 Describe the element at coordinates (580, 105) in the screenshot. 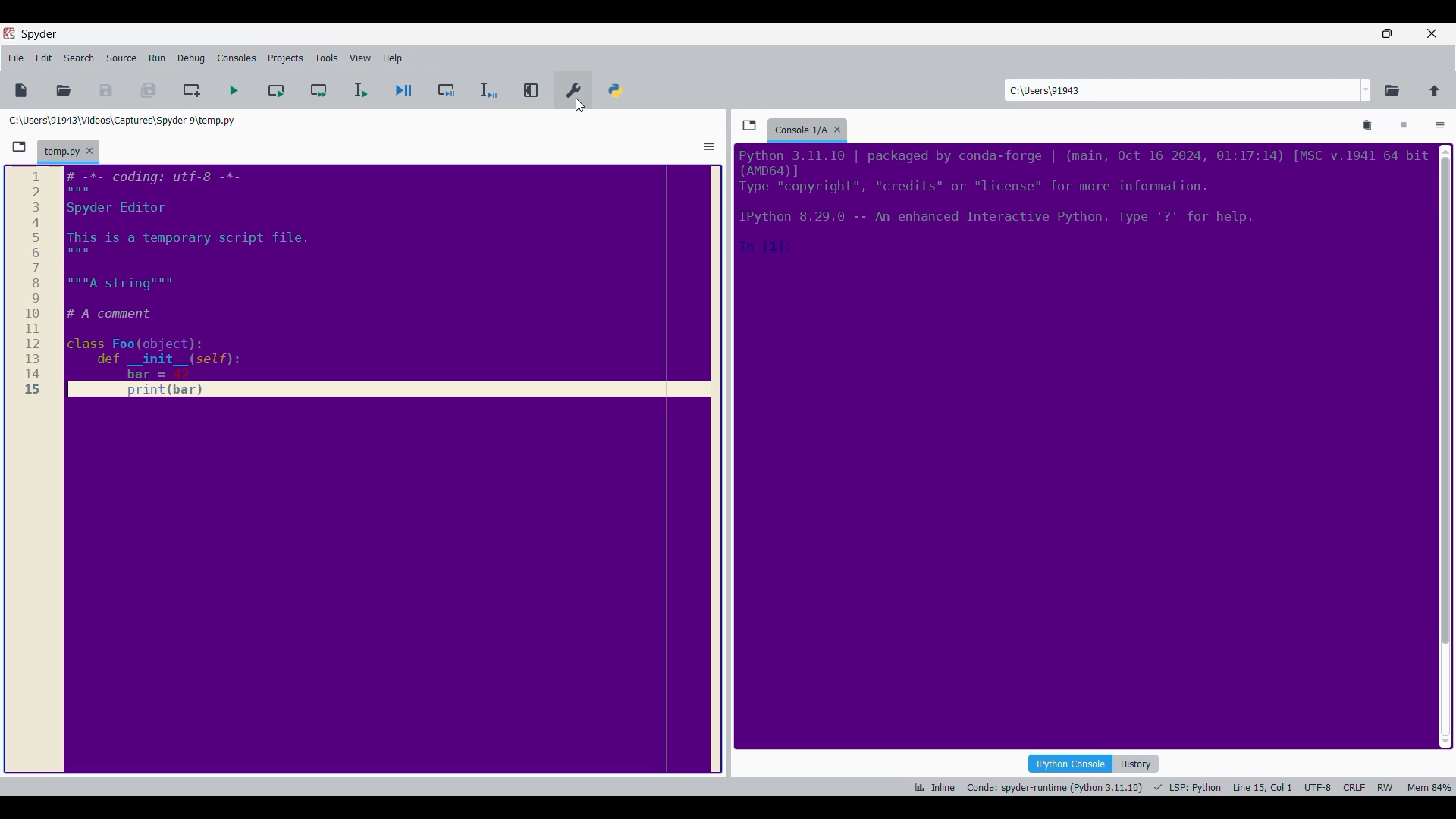

I see `cursor` at that location.